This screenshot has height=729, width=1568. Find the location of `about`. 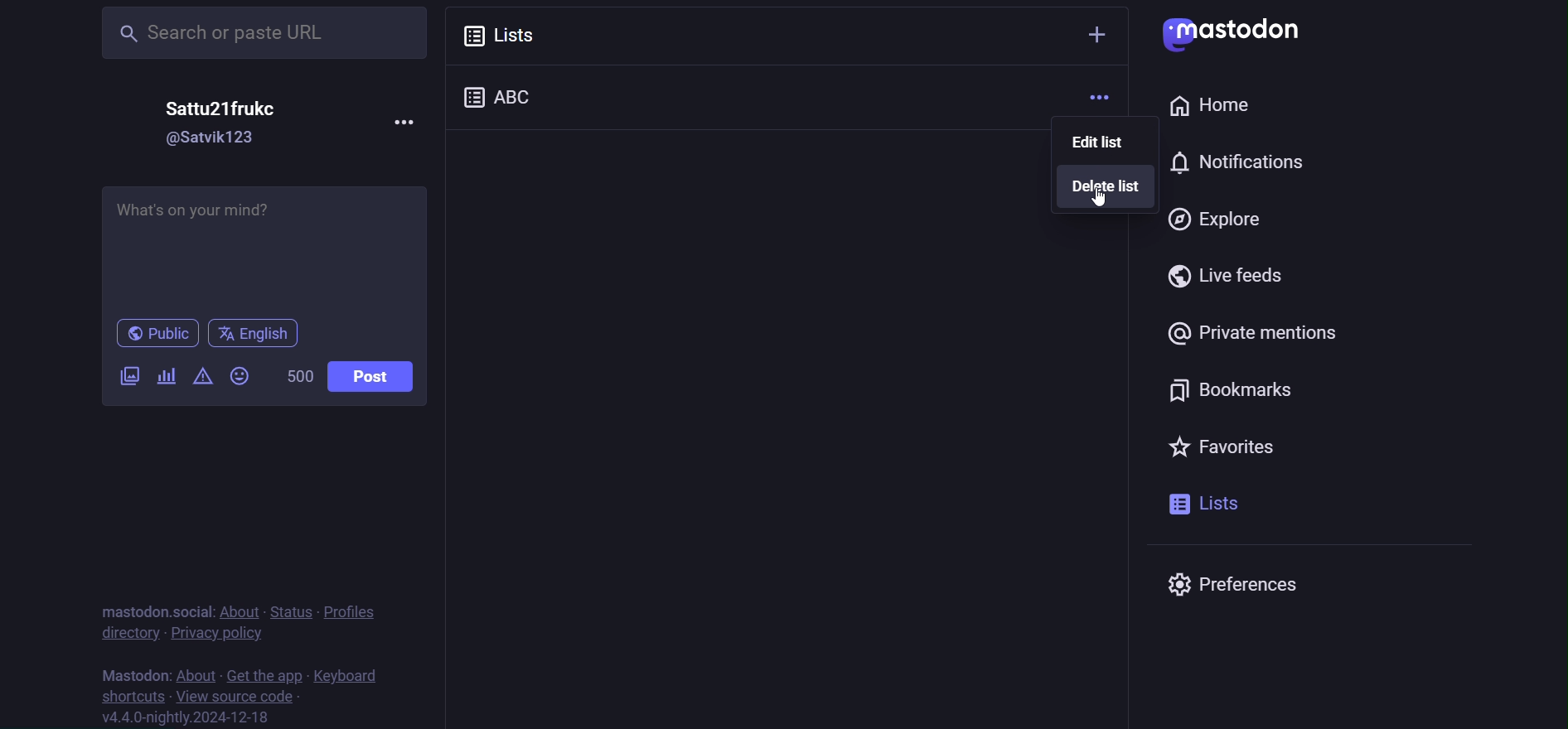

about is located at coordinates (196, 672).